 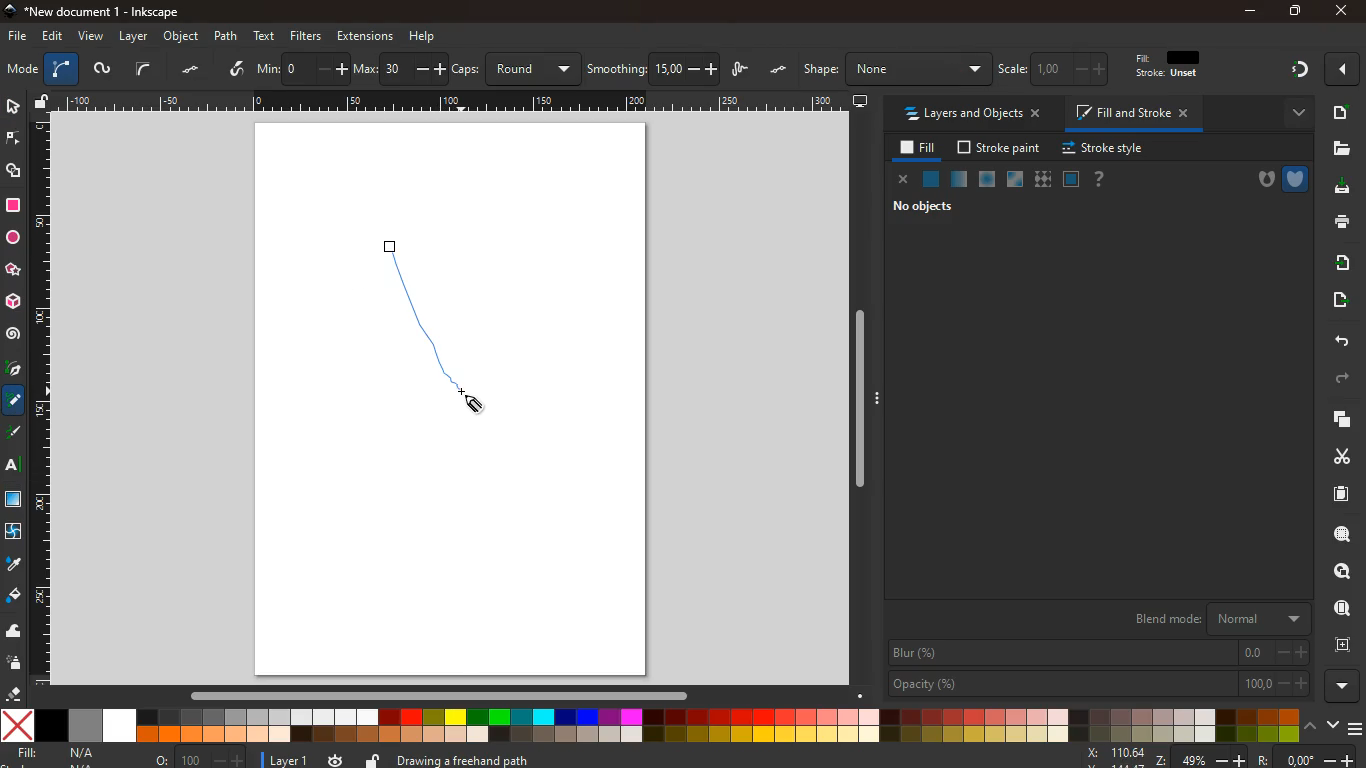 I want to click on view, so click(x=92, y=37).